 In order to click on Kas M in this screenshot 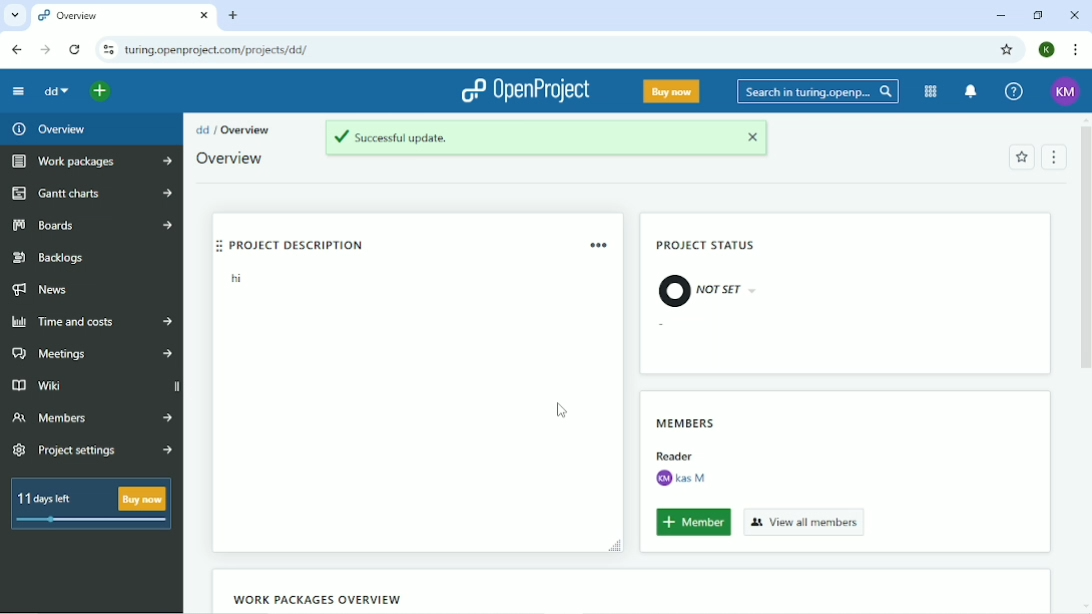, I will do `click(680, 478)`.